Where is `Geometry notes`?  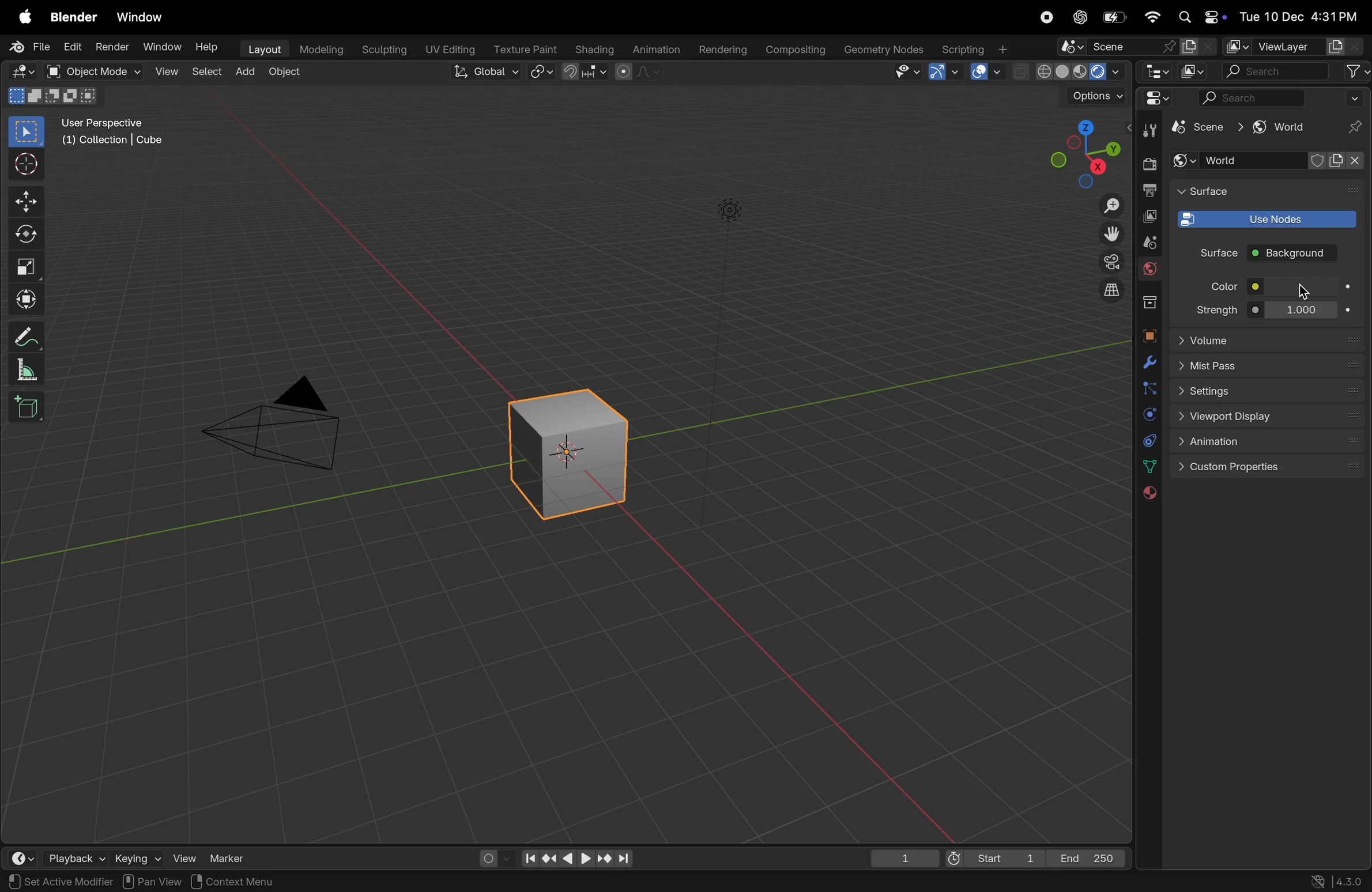 Geometry notes is located at coordinates (882, 49).